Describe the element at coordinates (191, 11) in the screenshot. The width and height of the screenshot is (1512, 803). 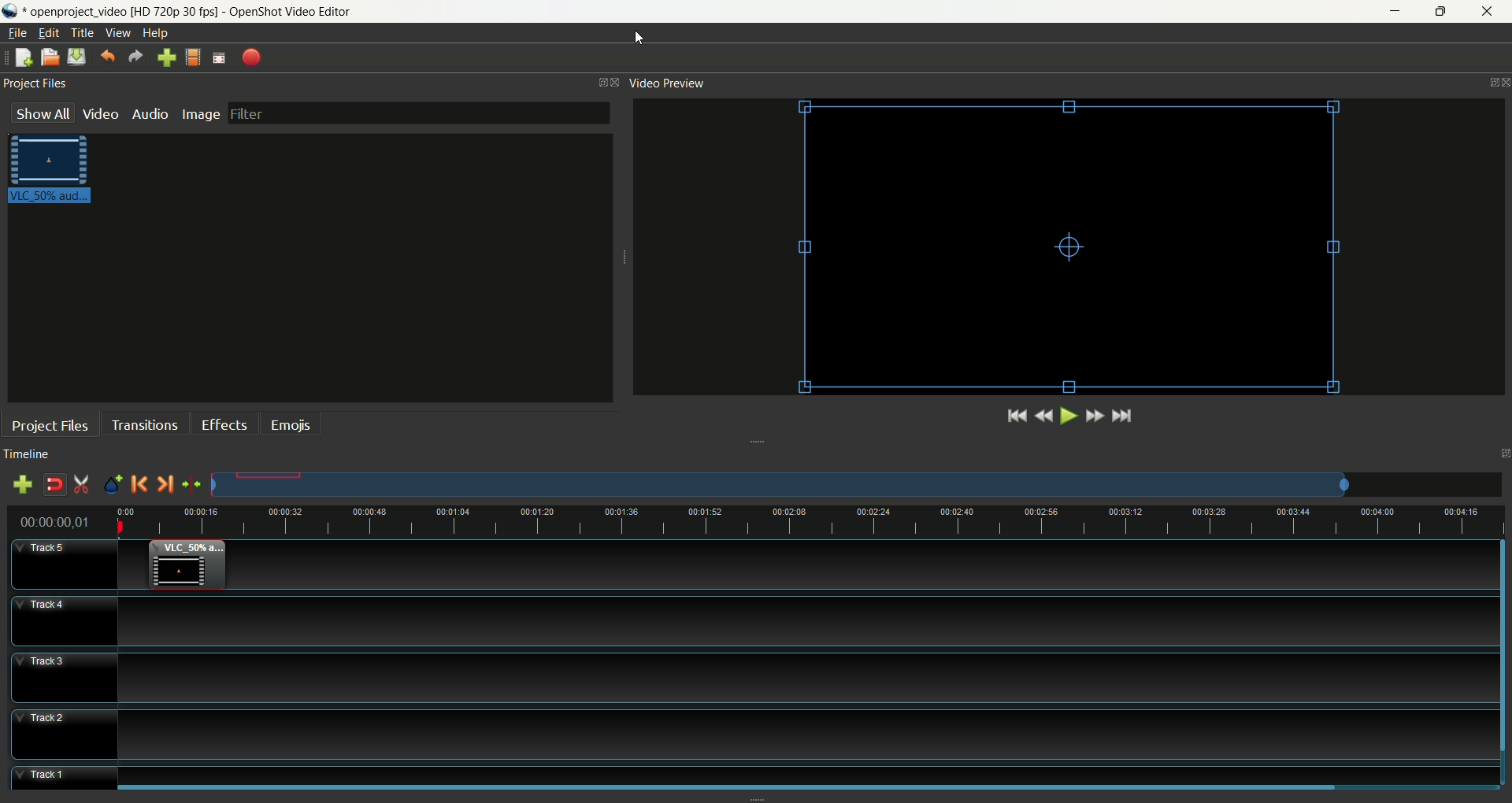
I see ` openproject video [HD 720p 30 fps] - OpenShot Video Editor` at that location.